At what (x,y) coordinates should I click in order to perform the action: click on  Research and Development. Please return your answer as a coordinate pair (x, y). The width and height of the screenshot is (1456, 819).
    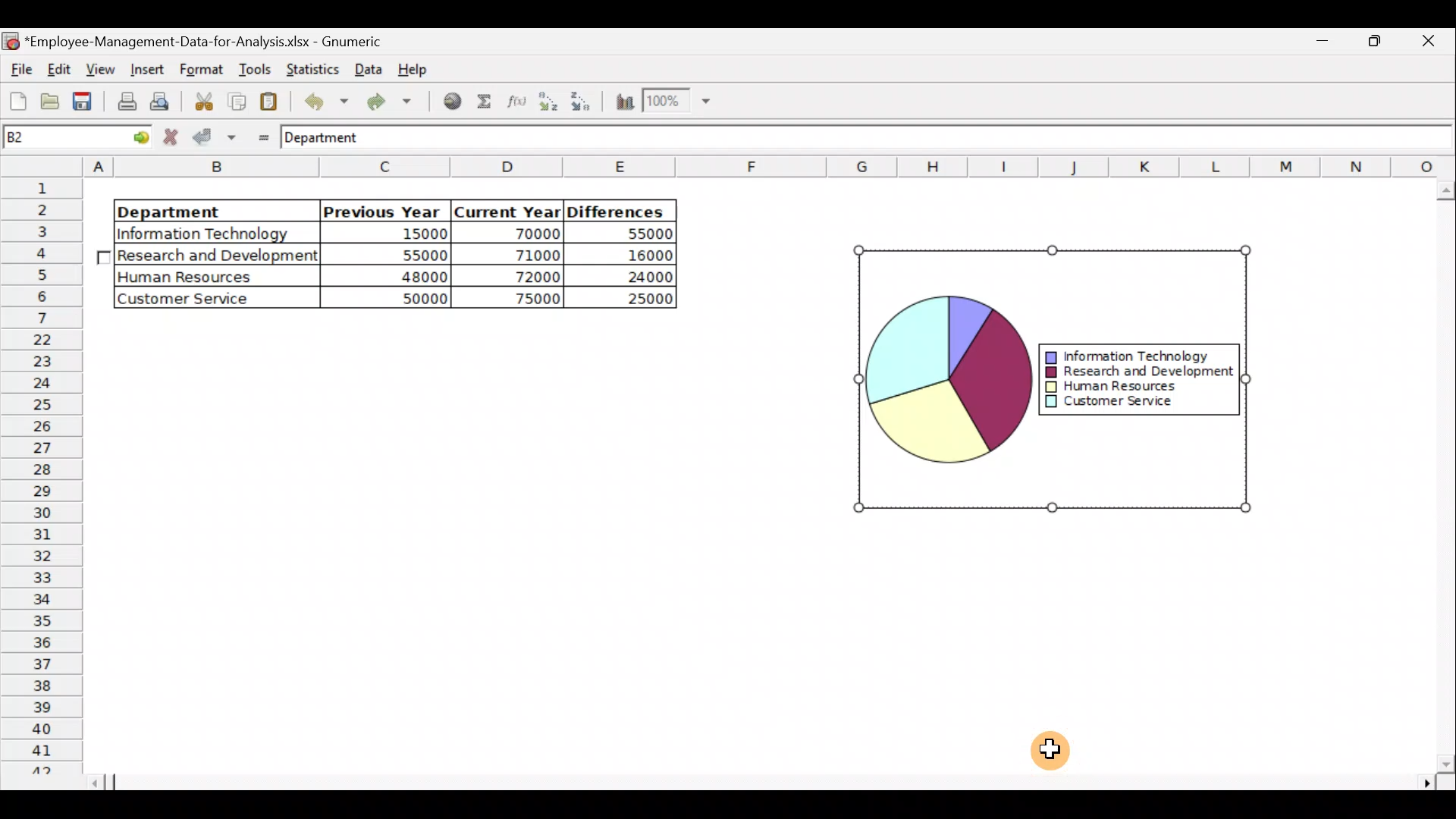
    Looking at the image, I should click on (1144, 372).